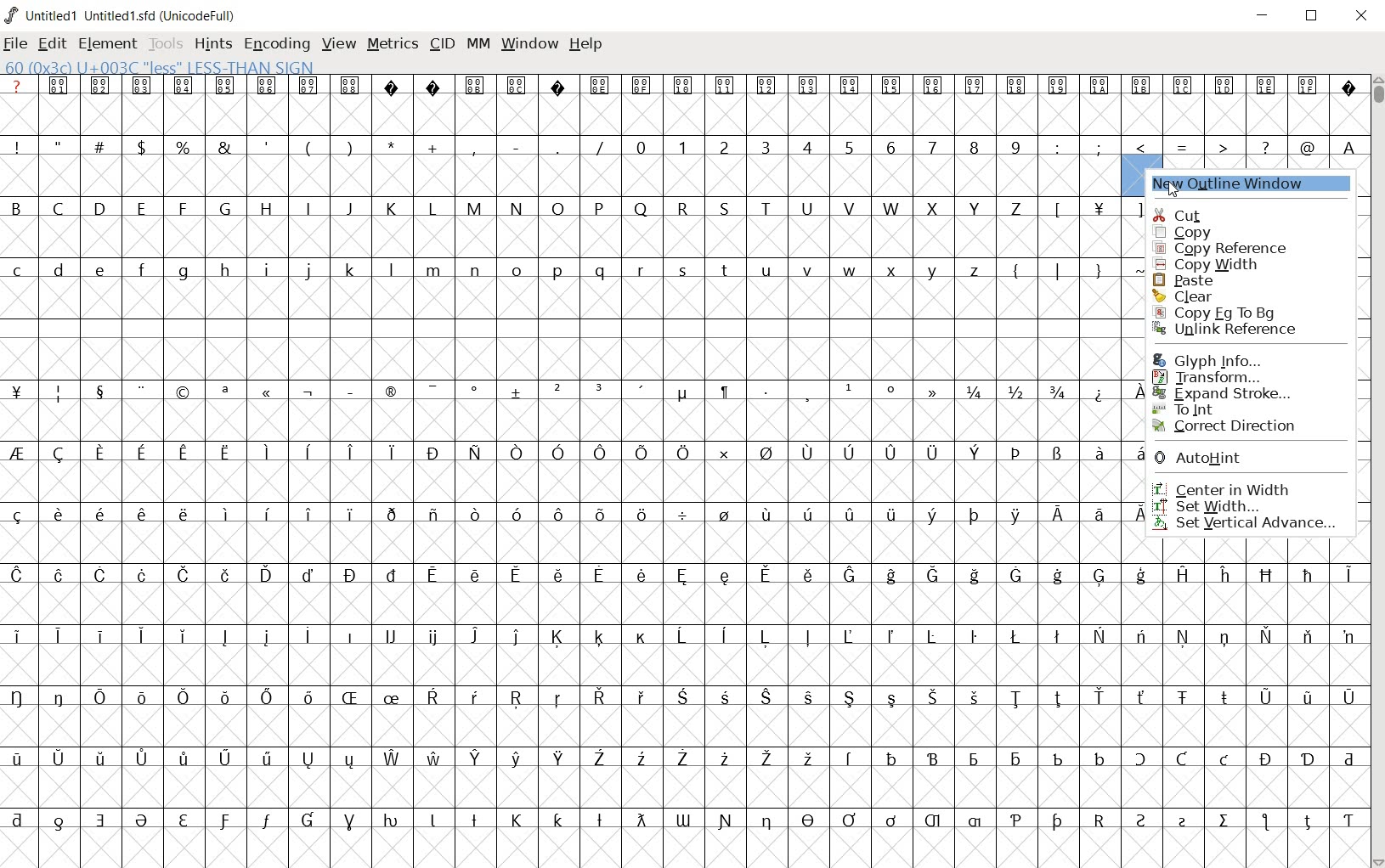  I want to click on empty cells, so click(683, 726).